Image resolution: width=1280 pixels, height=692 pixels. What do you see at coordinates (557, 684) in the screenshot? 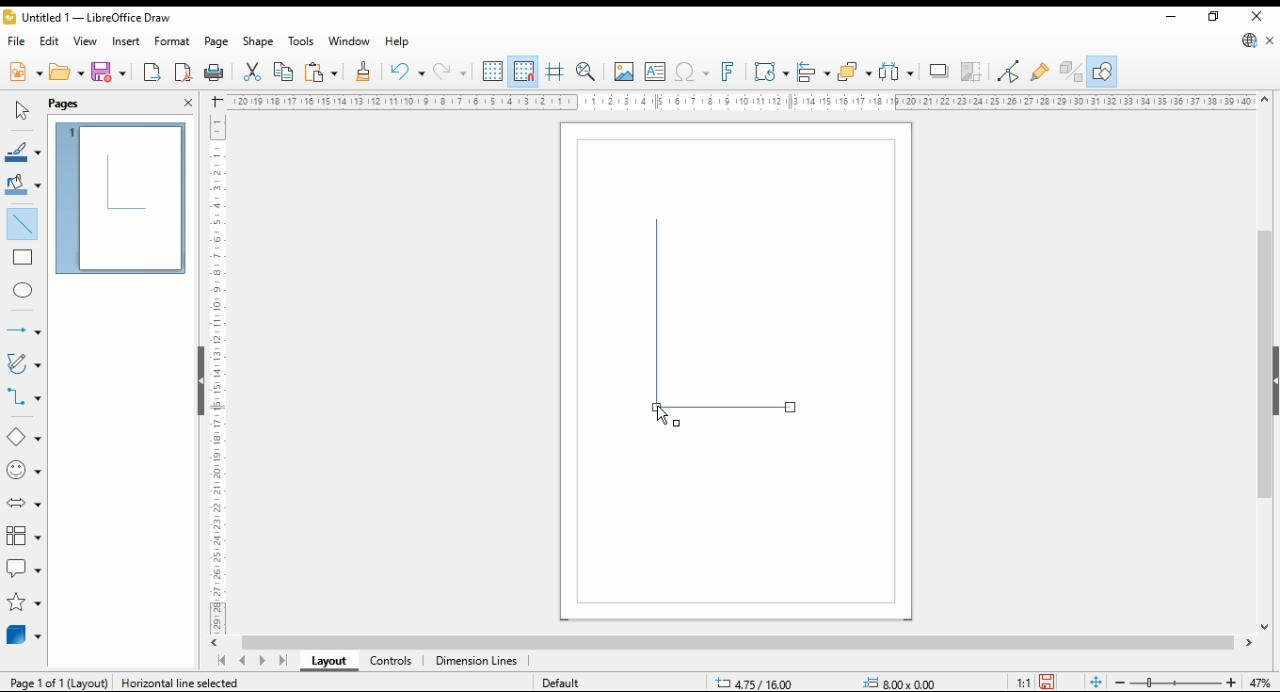
I see `default` at bounding box center [557, 684].